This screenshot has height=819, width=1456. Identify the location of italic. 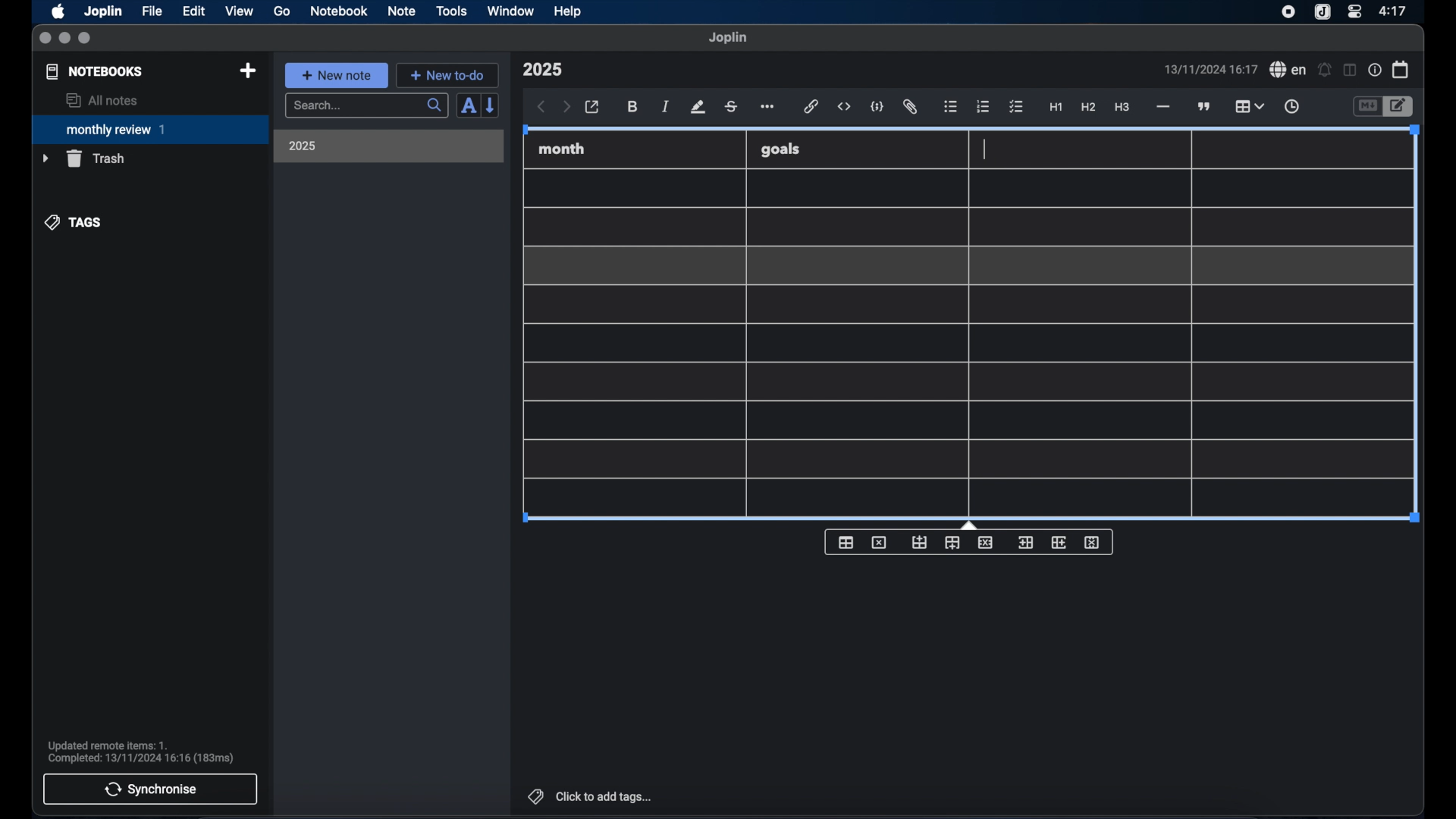
(666, 106).